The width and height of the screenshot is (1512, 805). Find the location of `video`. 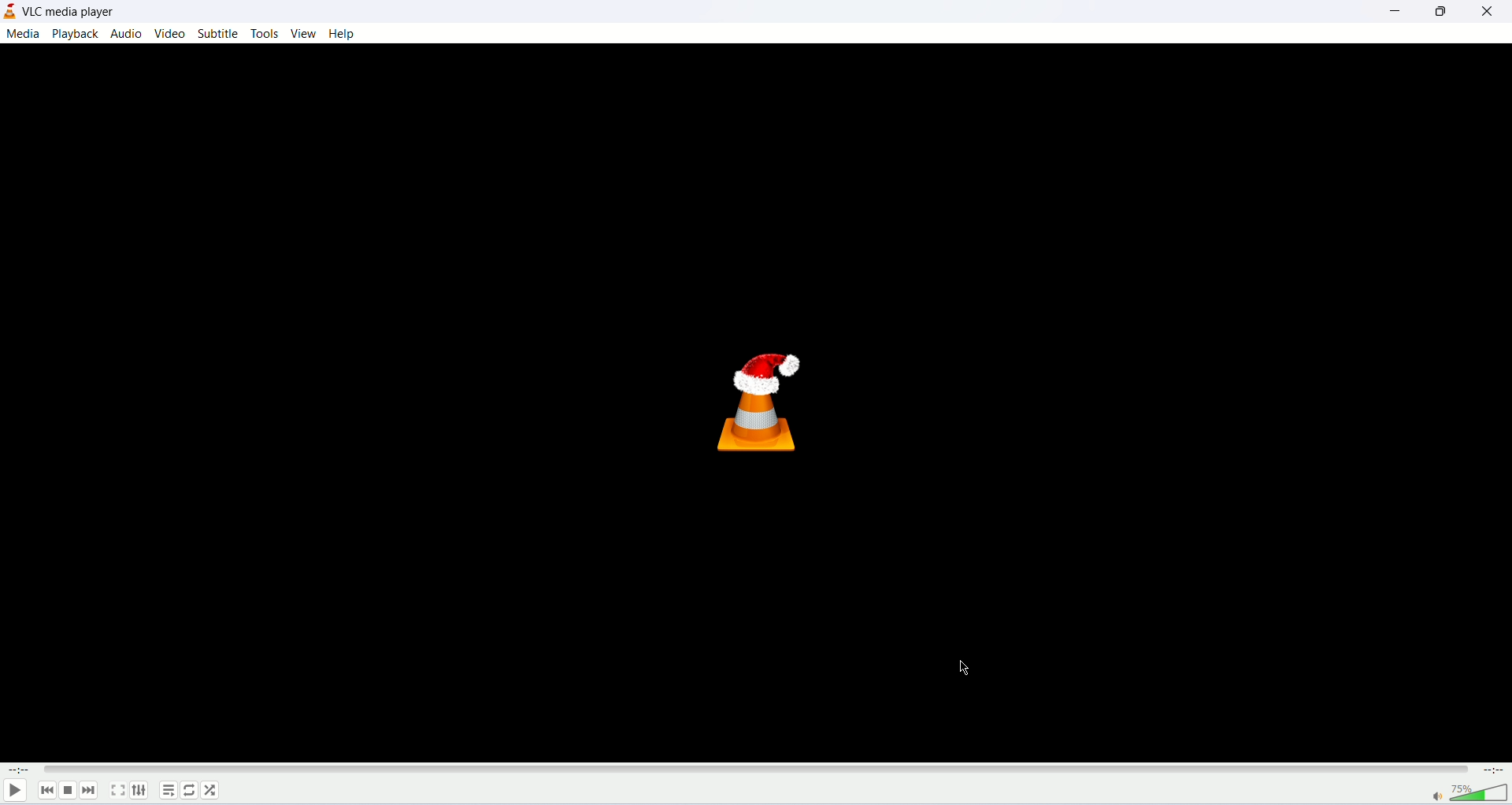

video is located at coordinates (172, 32).